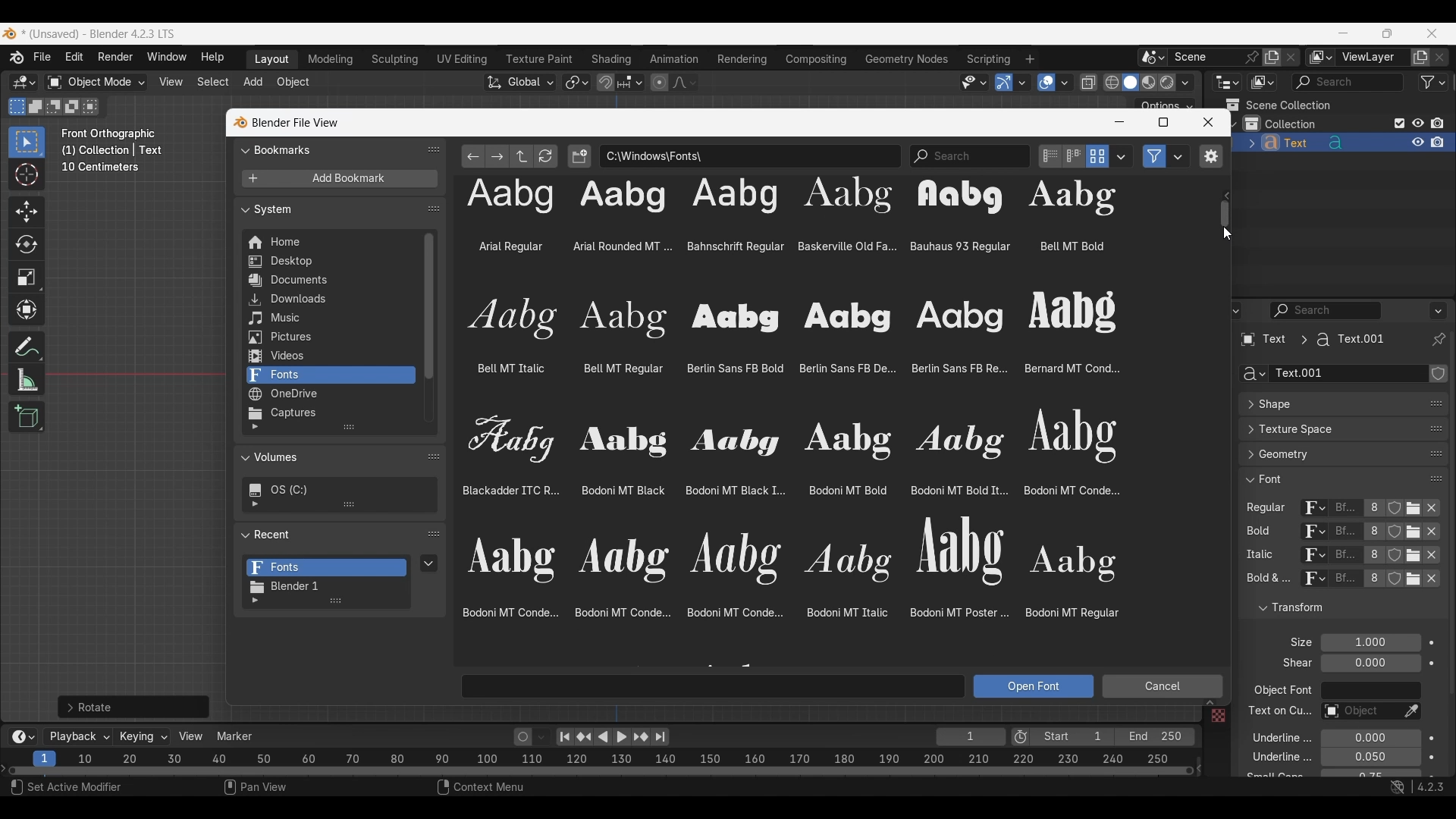  What do you see at coordinates (429, 563) in the screenshot?
I see `Recent items specials` at bounding box center [429, 563].